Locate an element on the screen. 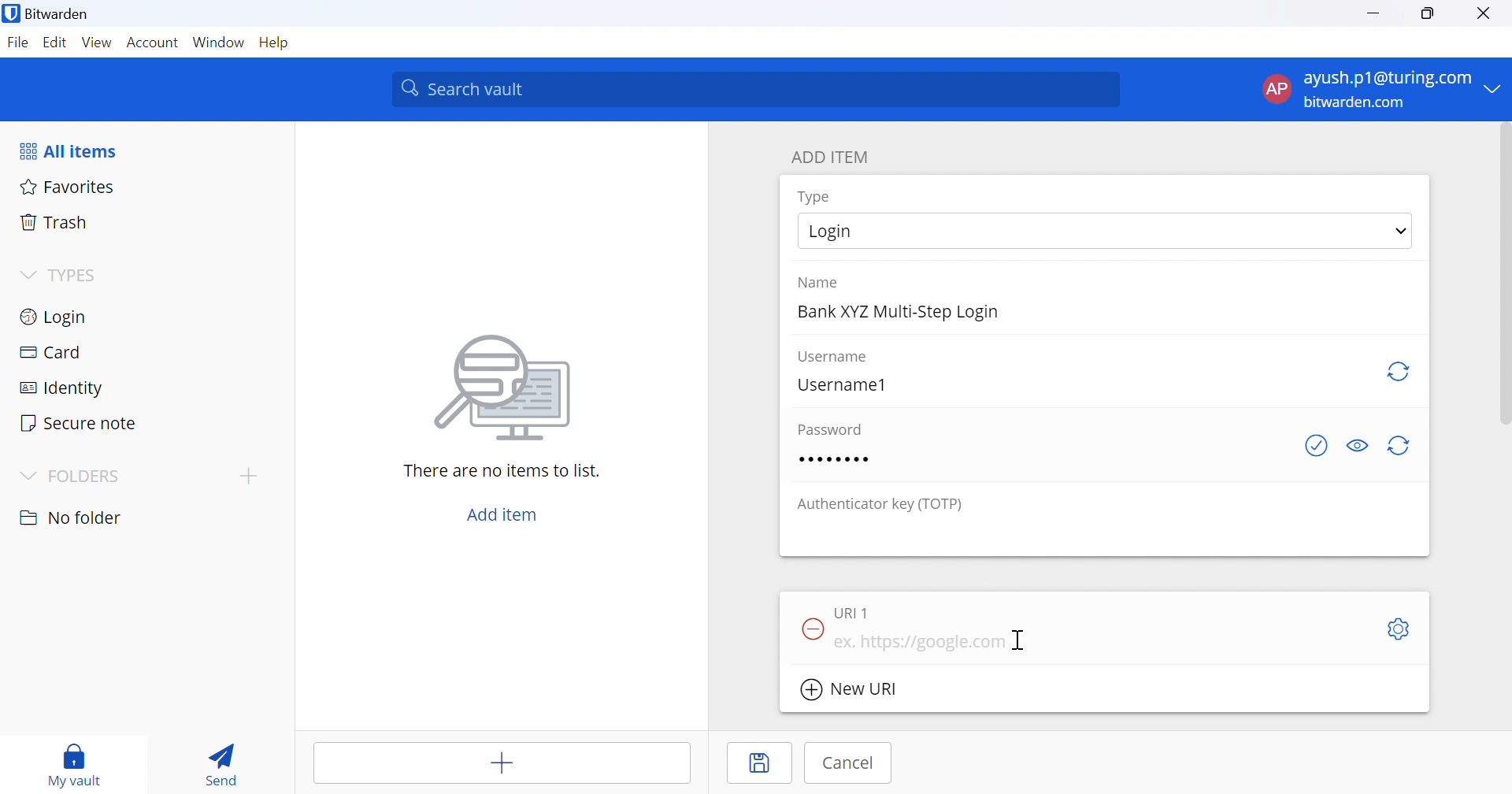 This screenshot has width=1512, height=794. Restore Down is located at coordinates (1429, 14).